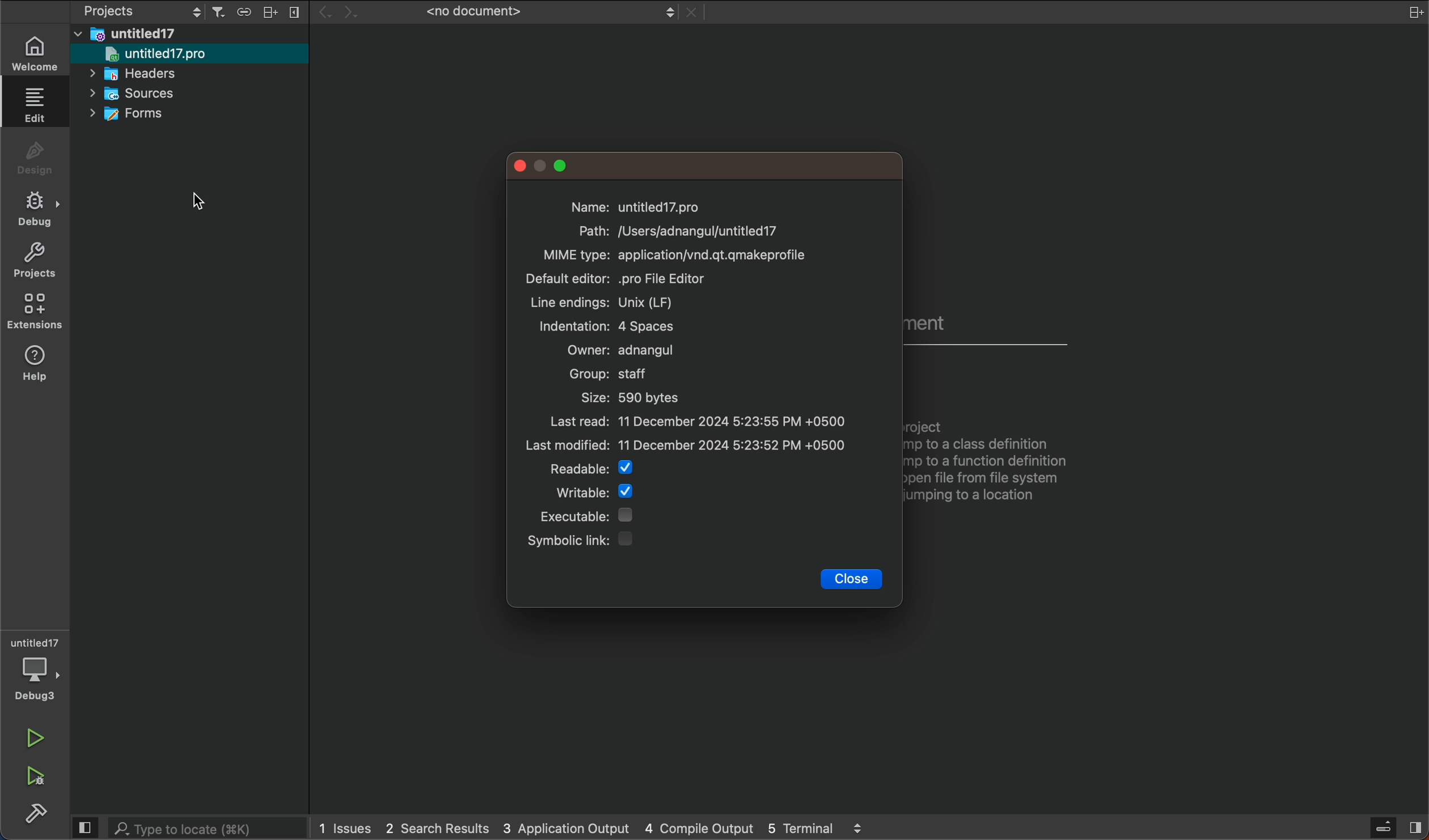 Image resolution: width=1429 pixels, height=840 pixels. What do you see at coordinates (39, 109) in the screenshot?
I see `edit` at bounding box center [39, 109].